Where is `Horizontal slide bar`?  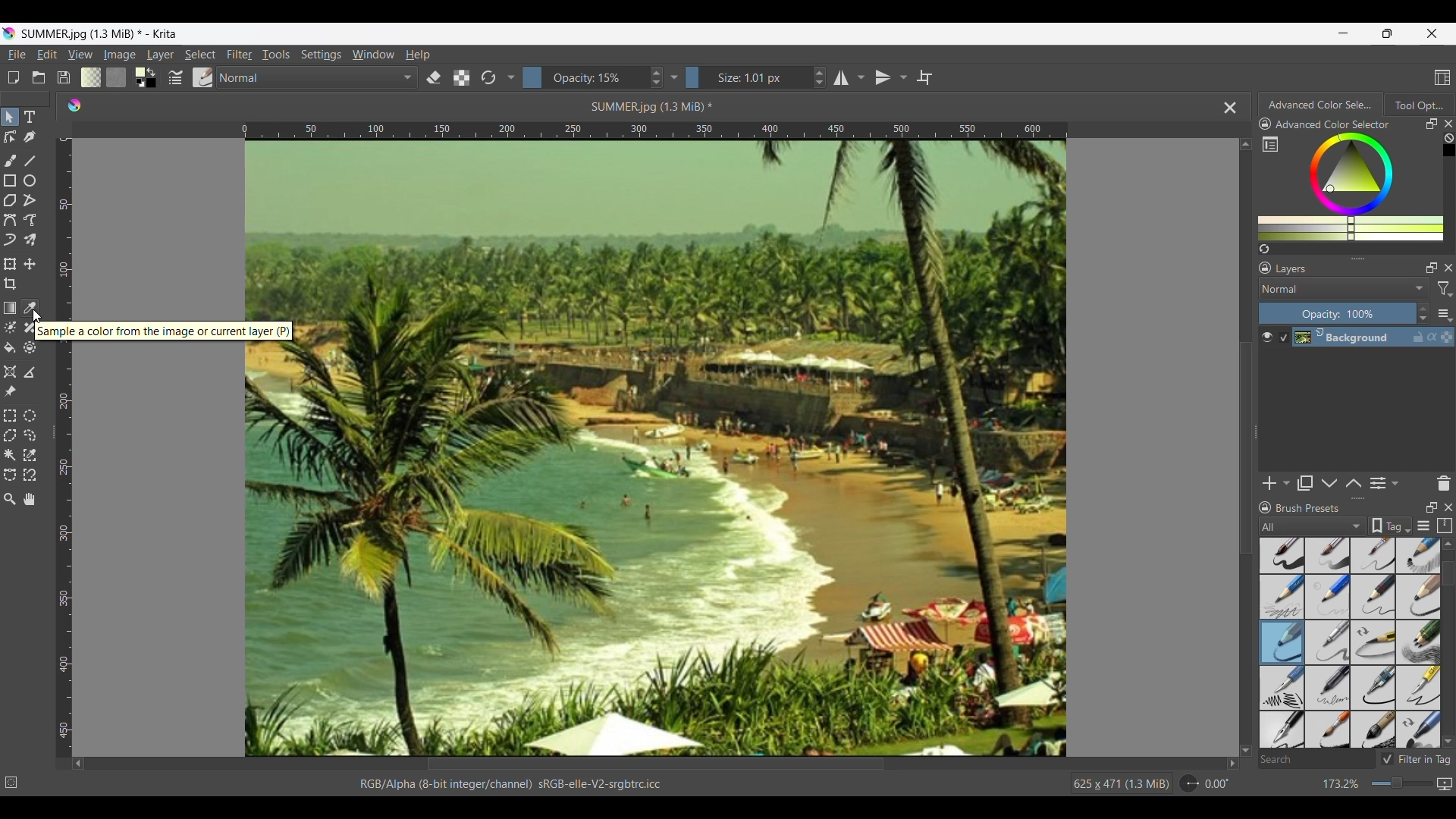
Horizontal slide bar is located at coordinates (655, 764).